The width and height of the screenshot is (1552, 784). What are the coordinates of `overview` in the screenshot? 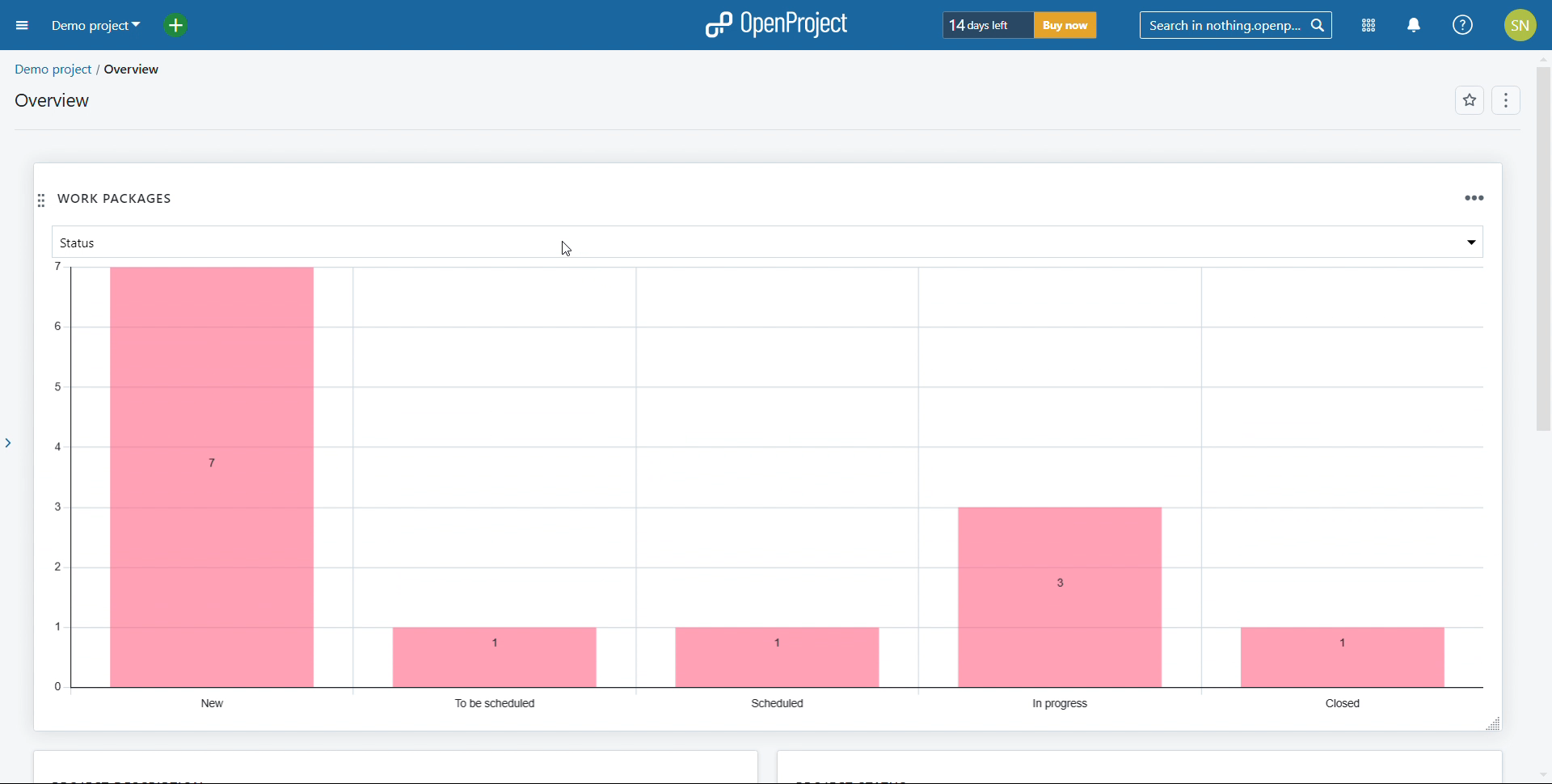 It's located at (55, 99).